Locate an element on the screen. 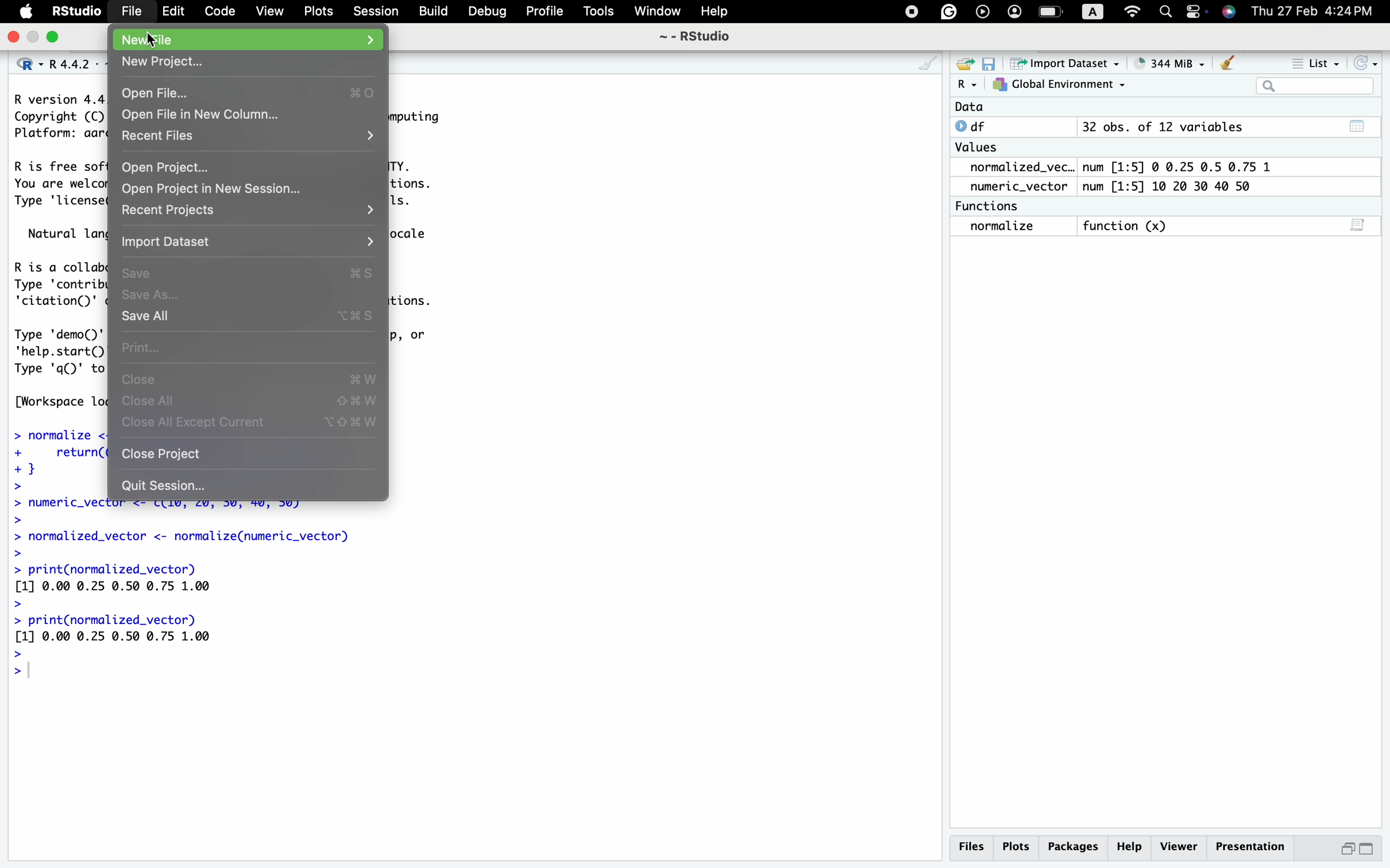 The height and width of the screenshot is (868, 1390). Recent Files is located at coordinates (156, 138).